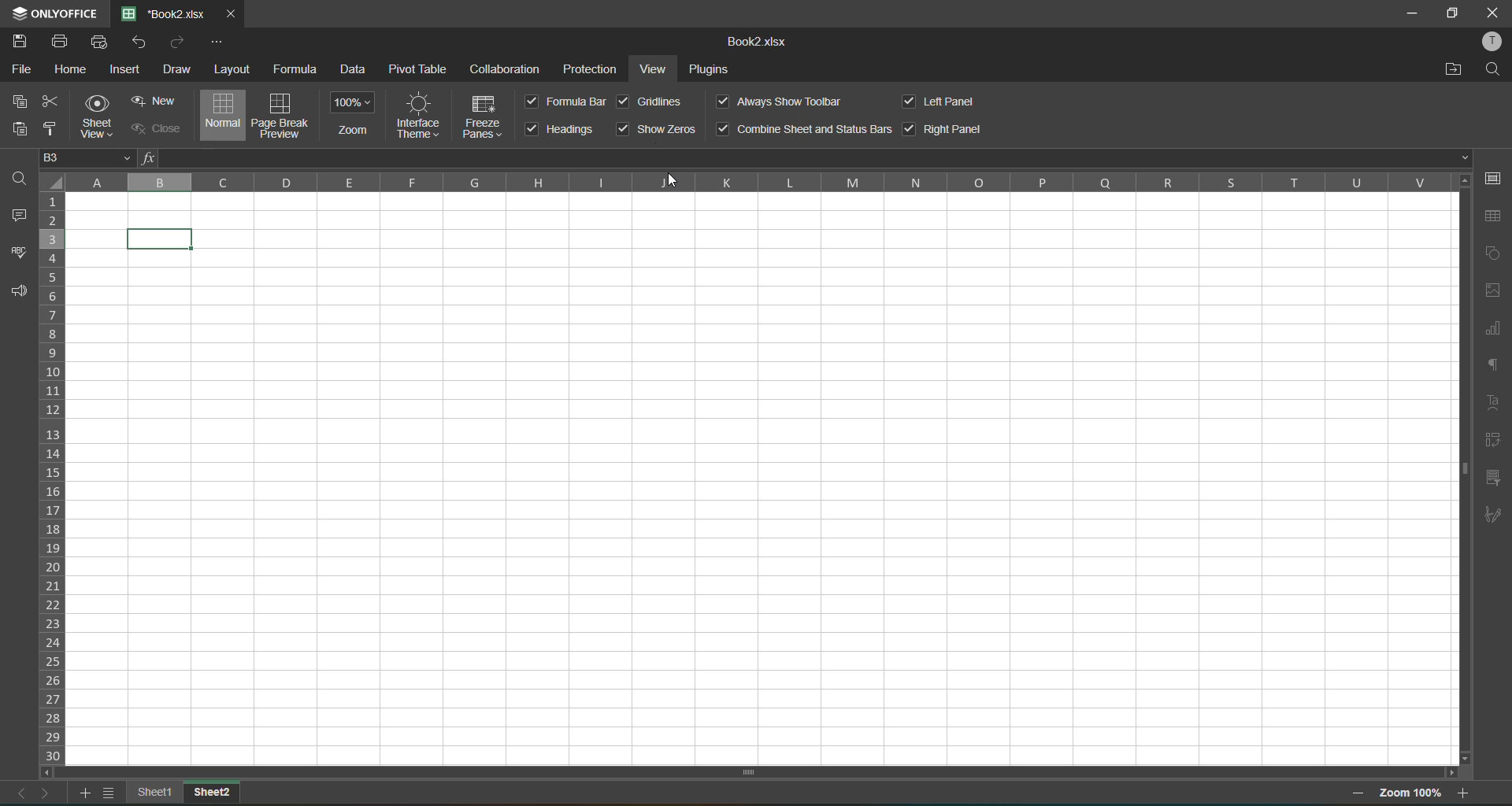 This screenshot has width=1512, height=806. I want to click on freeze panes, so click(484, 120).